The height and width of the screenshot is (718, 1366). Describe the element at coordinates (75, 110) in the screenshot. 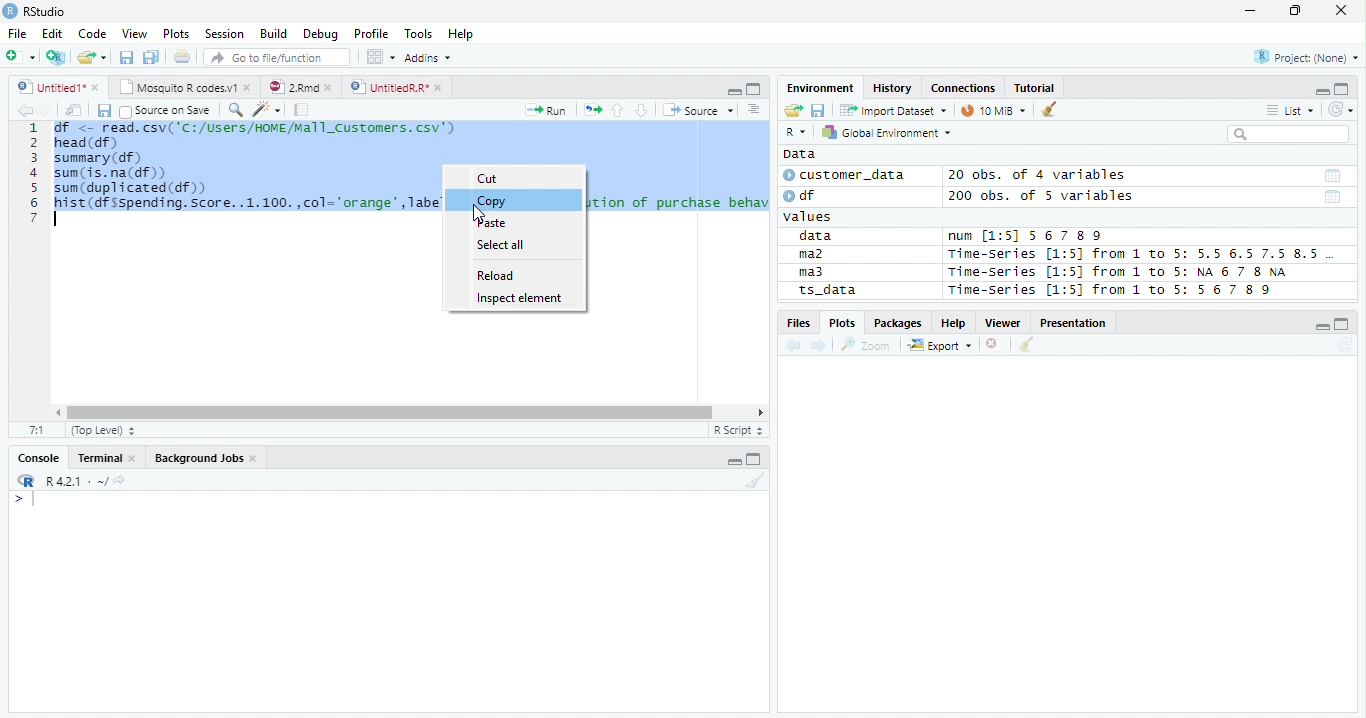

I see `Show in new window` at that location.